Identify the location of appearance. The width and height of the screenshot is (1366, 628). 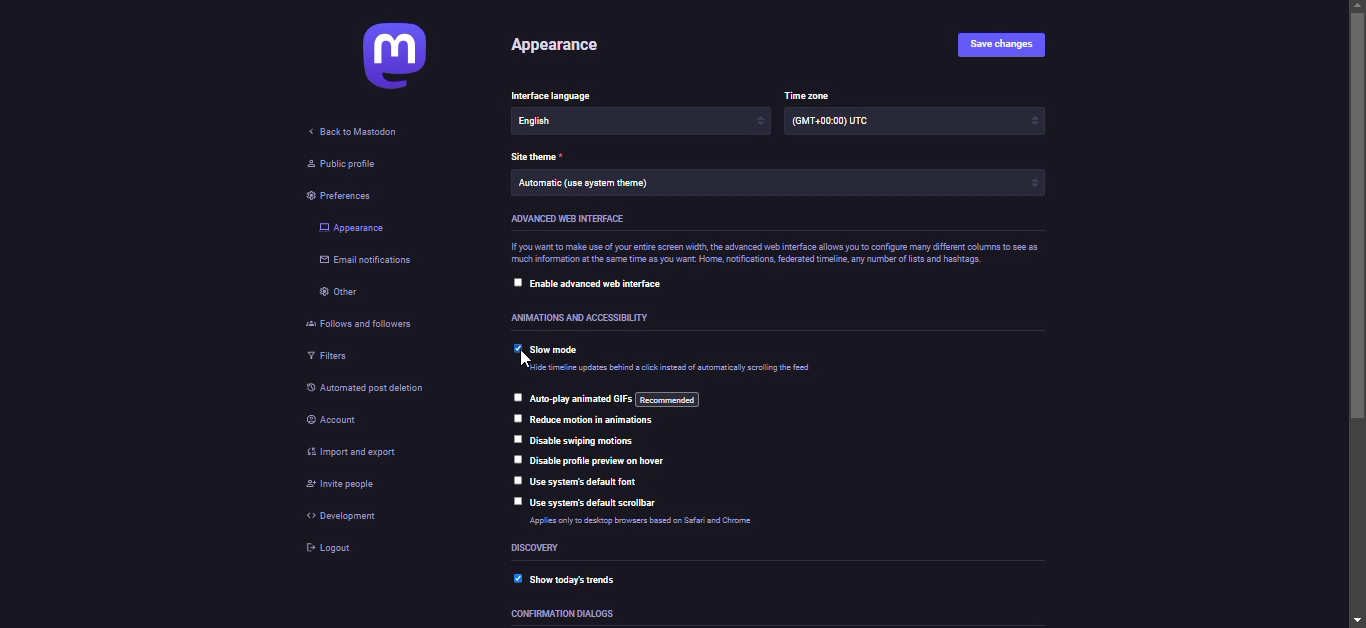
(350, 229).